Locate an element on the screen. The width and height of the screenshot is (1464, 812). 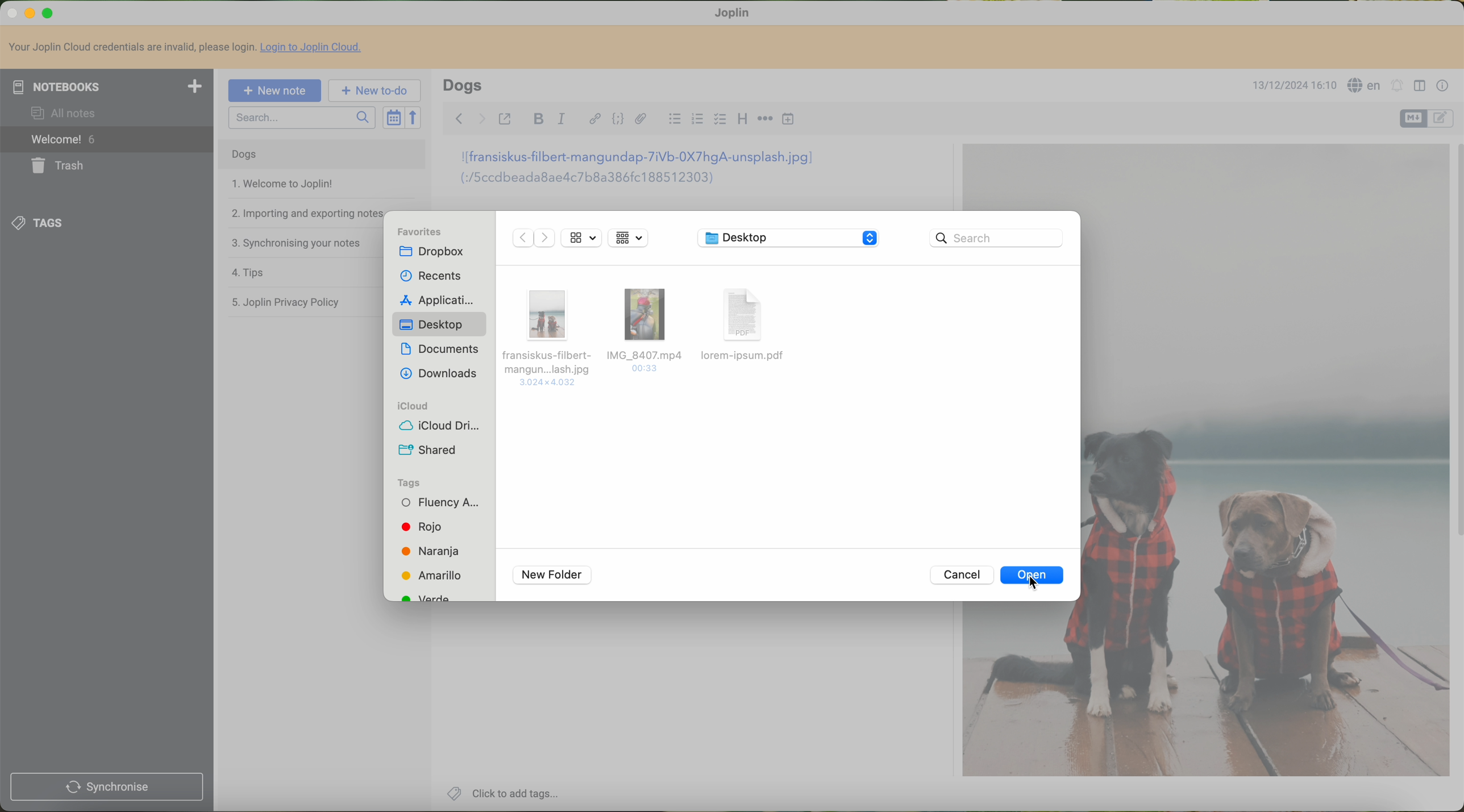
lorem-ipsum.pdf is located at coordinates (749, 327).